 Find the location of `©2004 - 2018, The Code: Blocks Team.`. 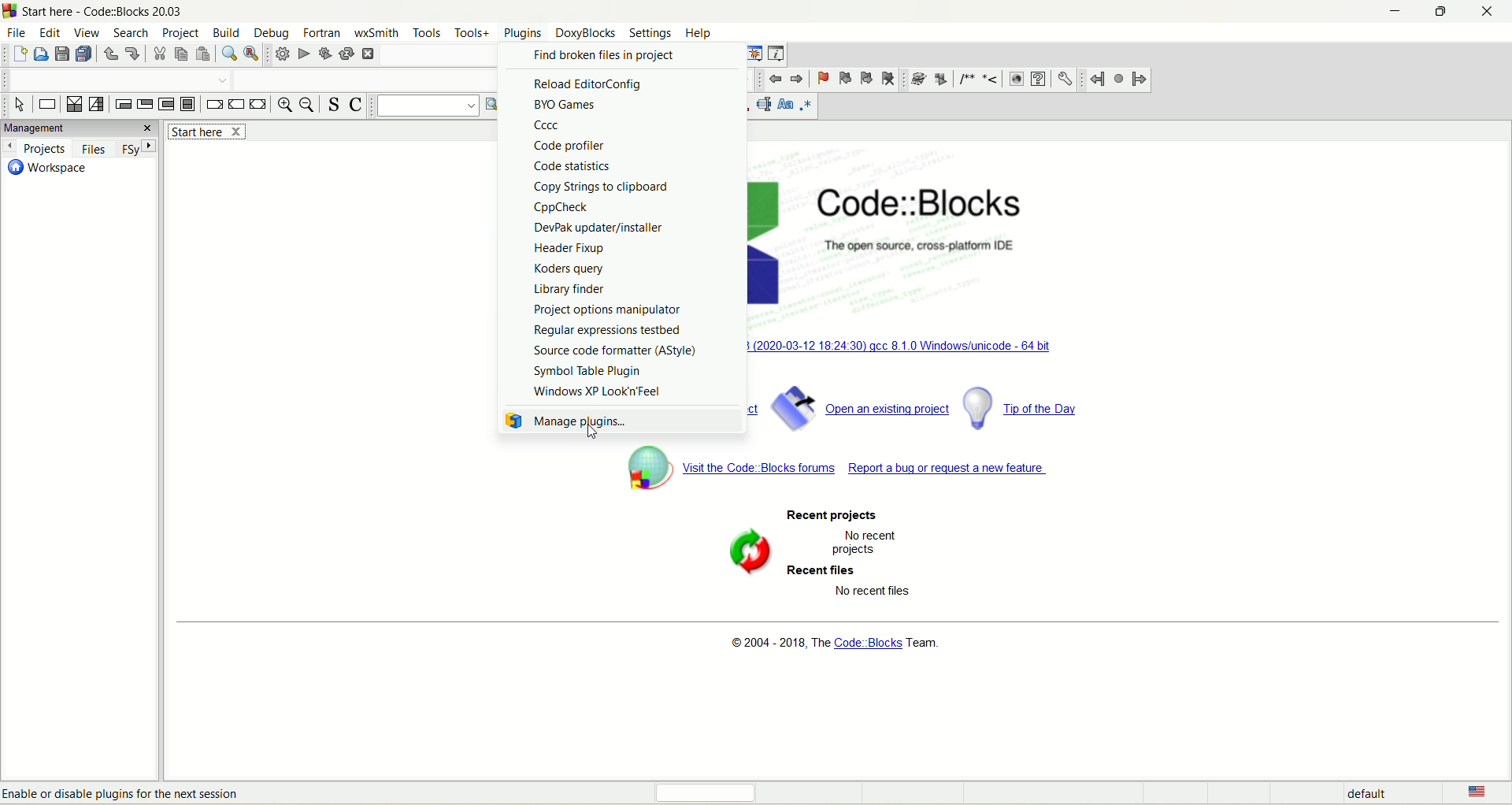

©2004 - 2018, The Code: Blocks Team. is located at coordinates (836, 646).